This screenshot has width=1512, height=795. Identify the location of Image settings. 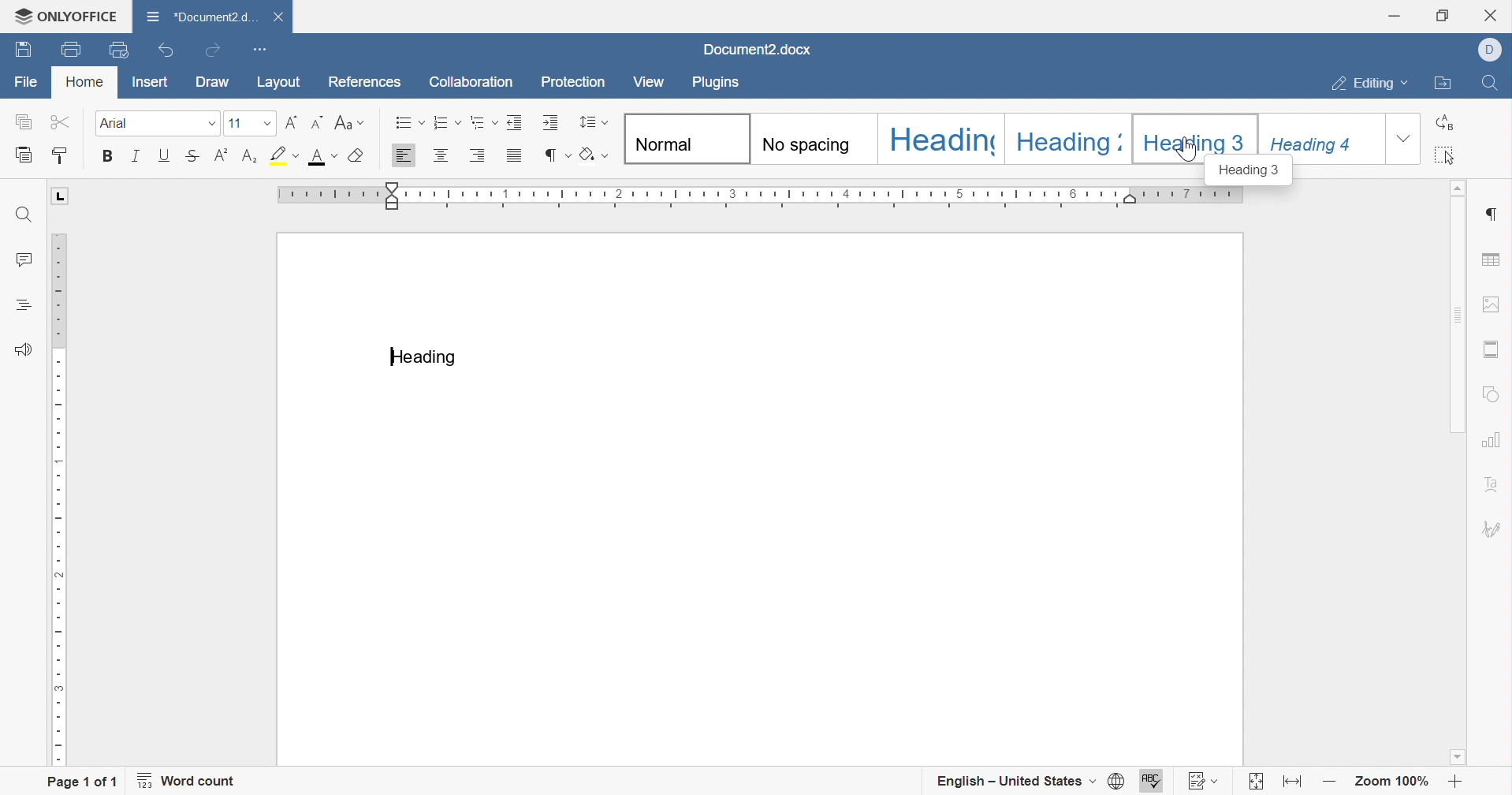
(1492, 304).